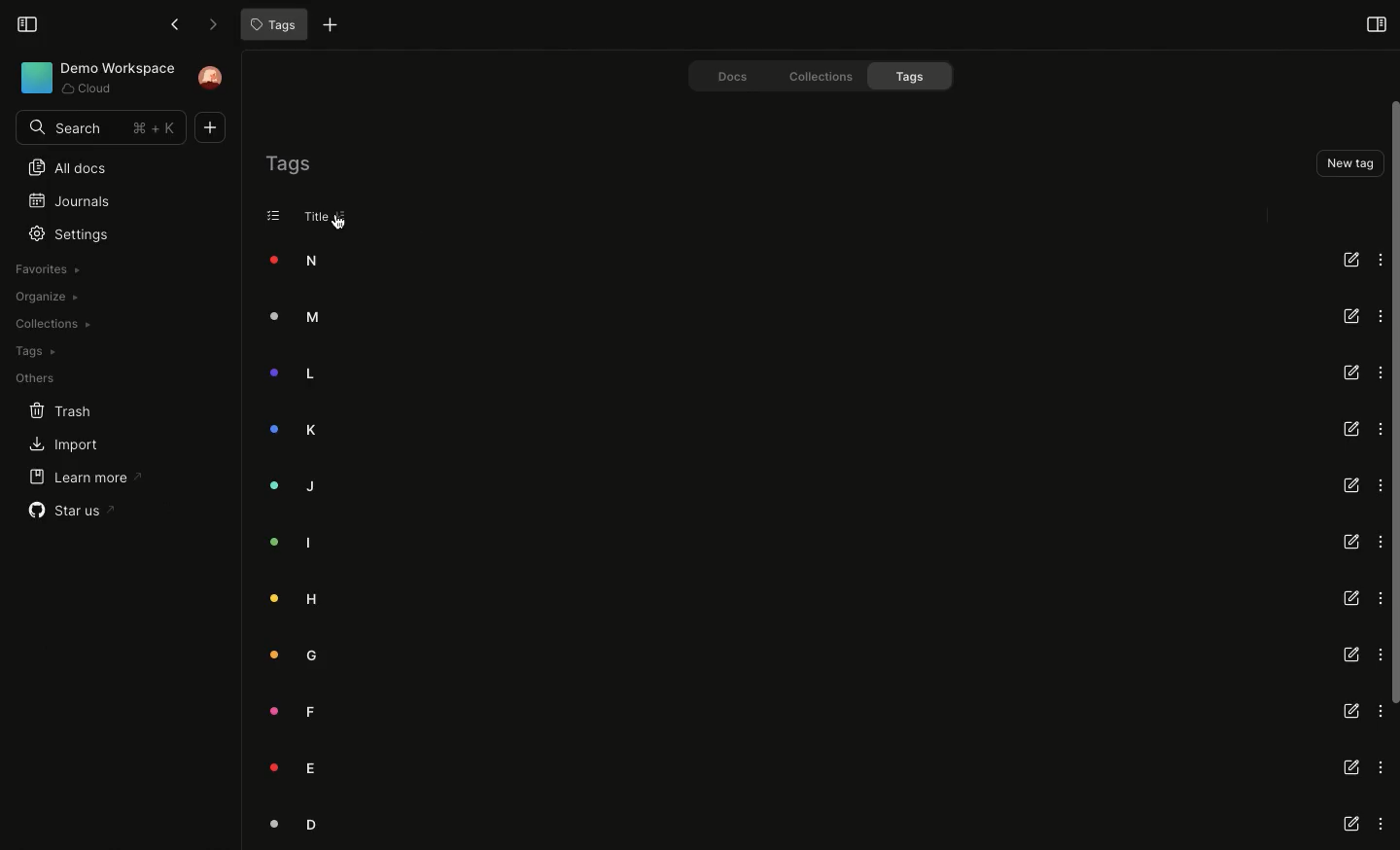 The image size is (1400, 850). Describe the element at coordinates (214, 127) in the screenshot. I see `New doc` at that location.